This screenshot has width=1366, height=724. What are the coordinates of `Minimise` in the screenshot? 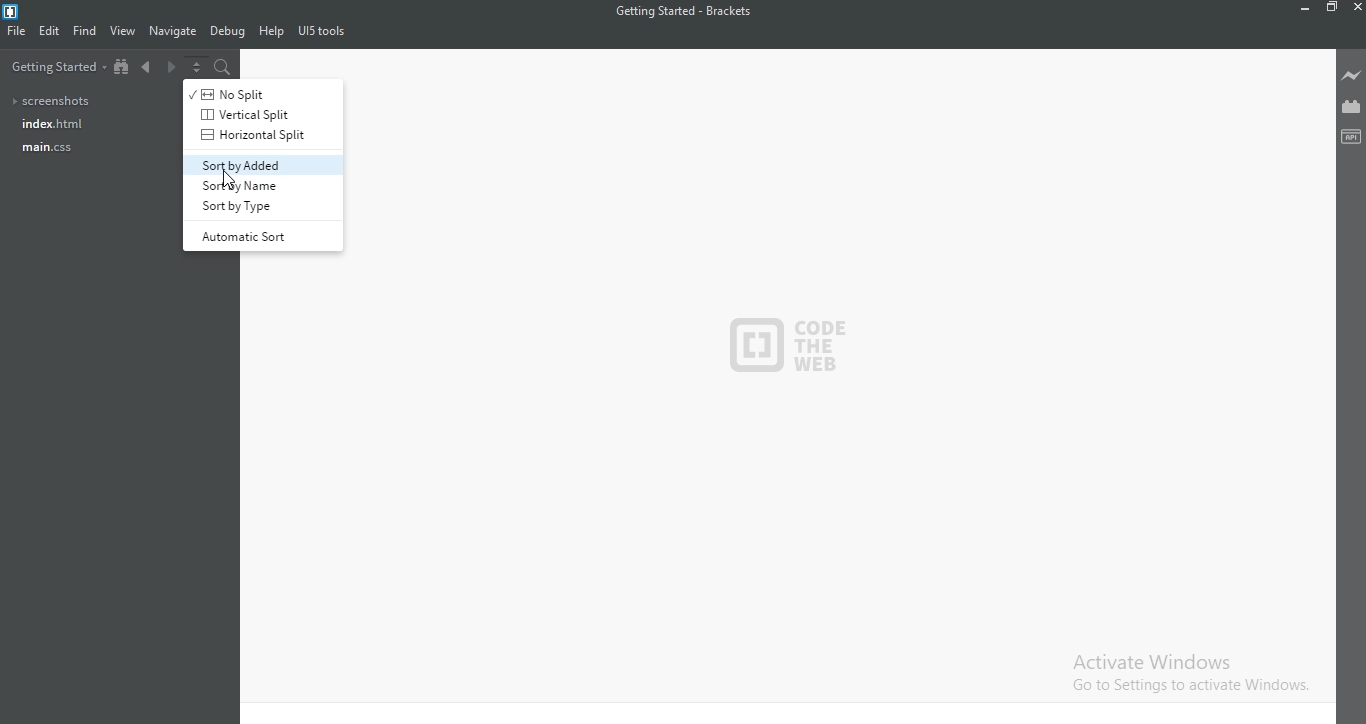 It's located at (1305, 8).